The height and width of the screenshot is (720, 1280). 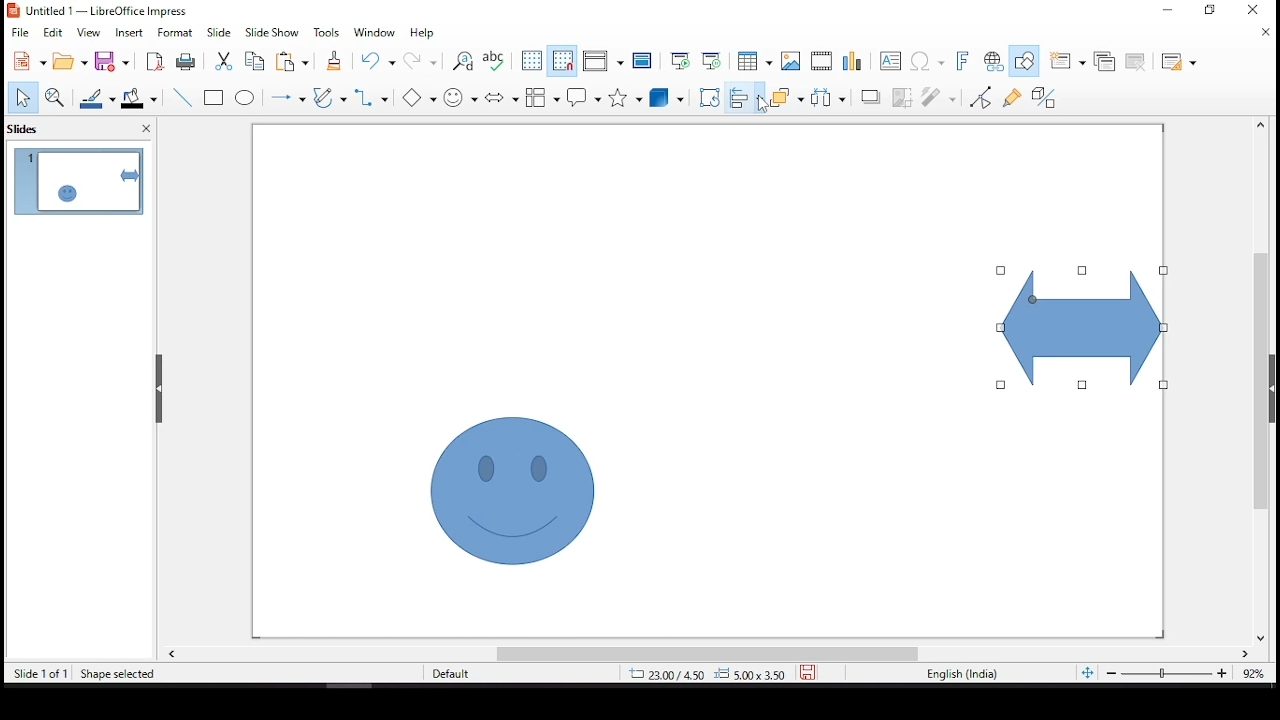 What do you see at coordinates (871, 96) in the screenshot?
I see `shadow` at bounding box center [871, 96].